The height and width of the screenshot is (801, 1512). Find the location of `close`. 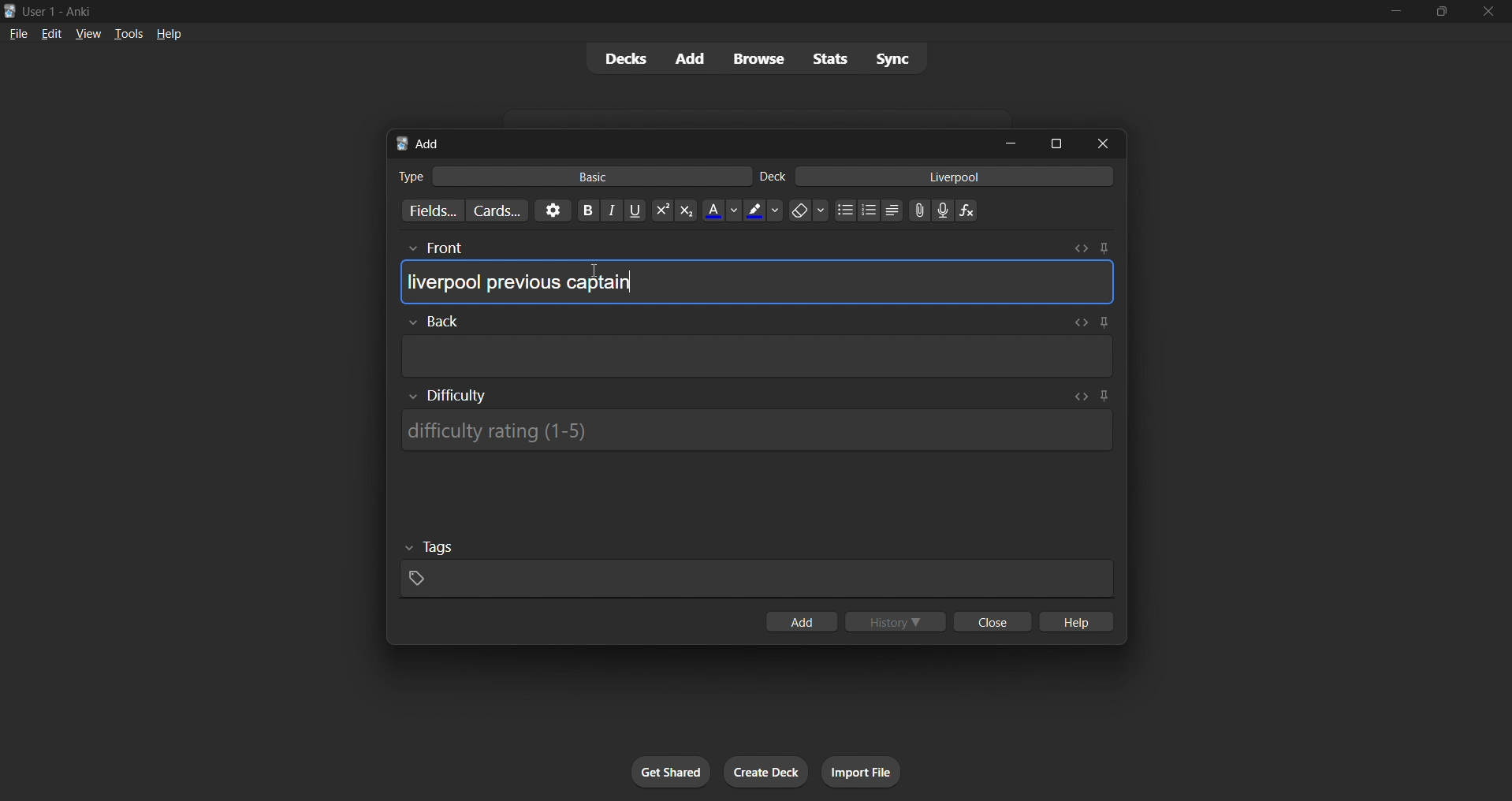

close is located at coordinates (1108, 143).